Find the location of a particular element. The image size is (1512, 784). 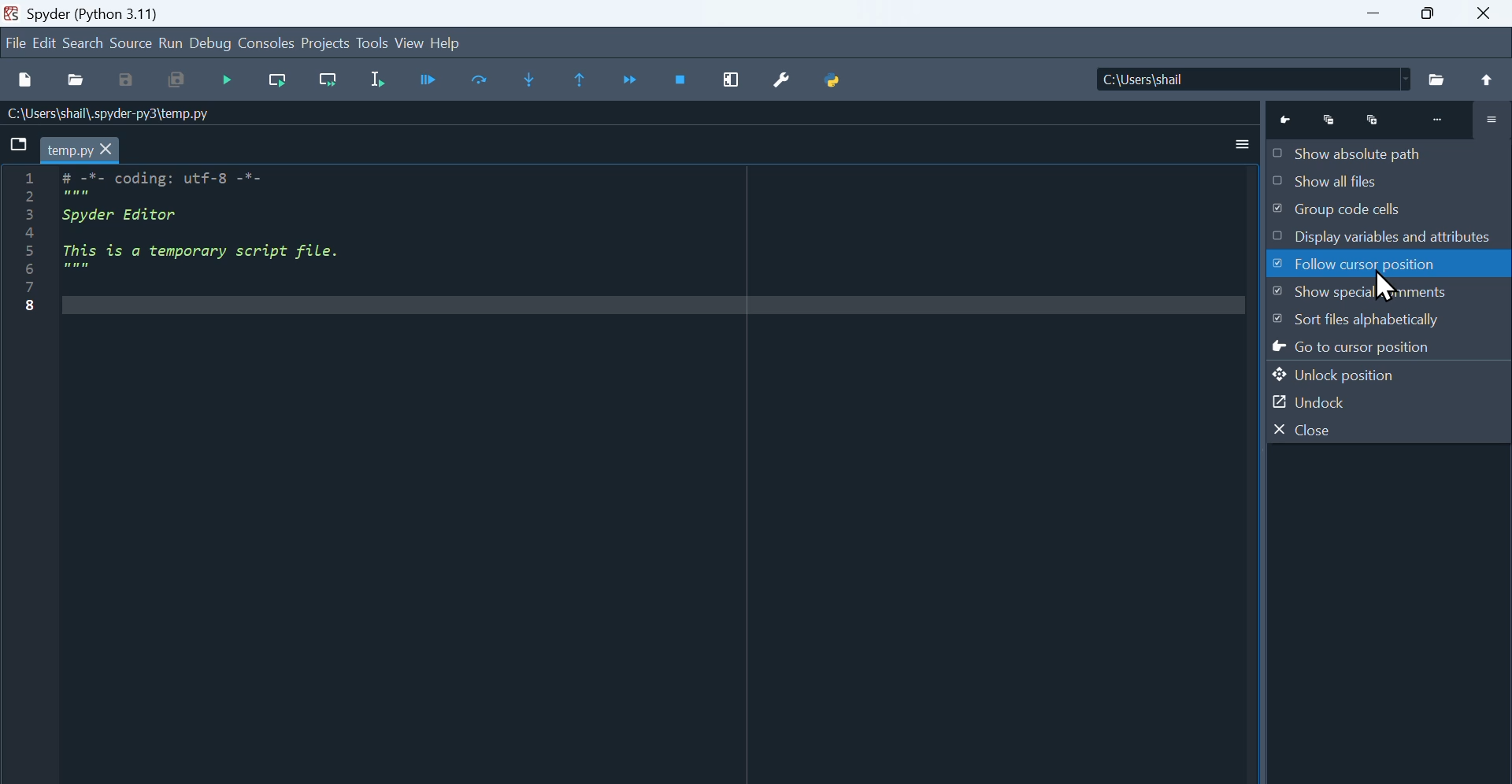

save is located at coordinates (131, 80).